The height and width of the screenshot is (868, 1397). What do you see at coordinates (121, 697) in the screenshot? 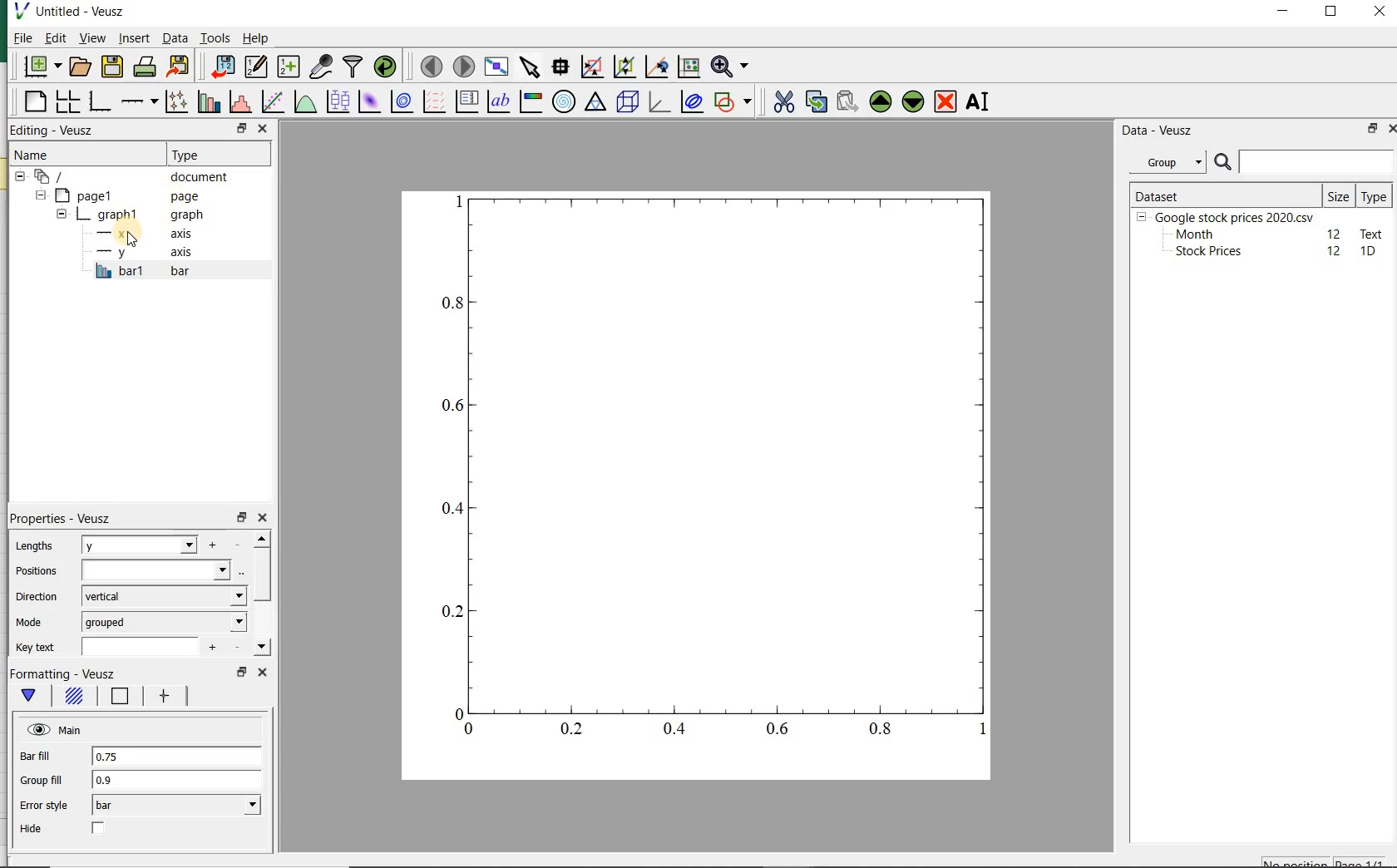
I see `Line` at bounding box center [121, 697].